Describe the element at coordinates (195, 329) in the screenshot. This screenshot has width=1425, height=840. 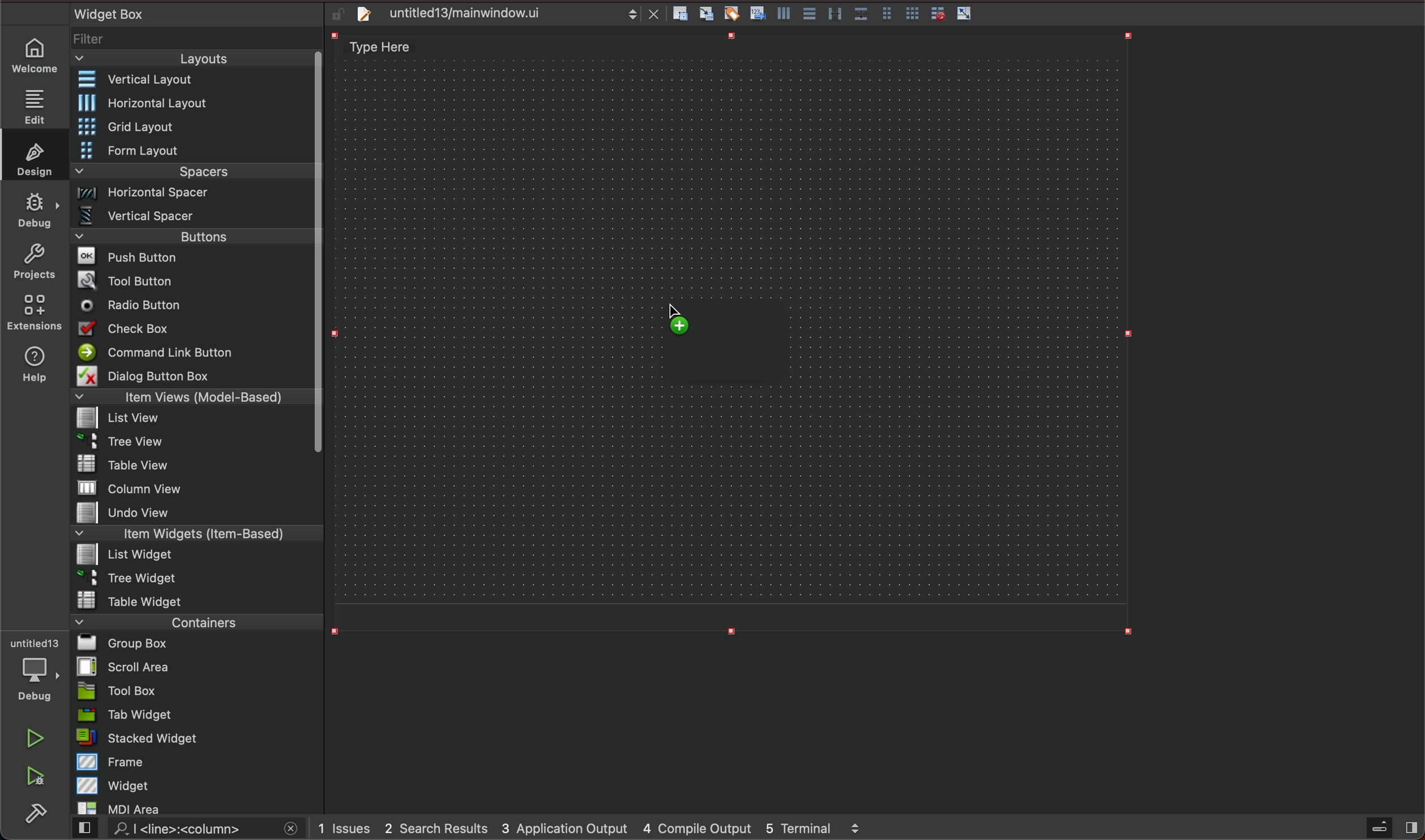
I see `checkbox` at that location.